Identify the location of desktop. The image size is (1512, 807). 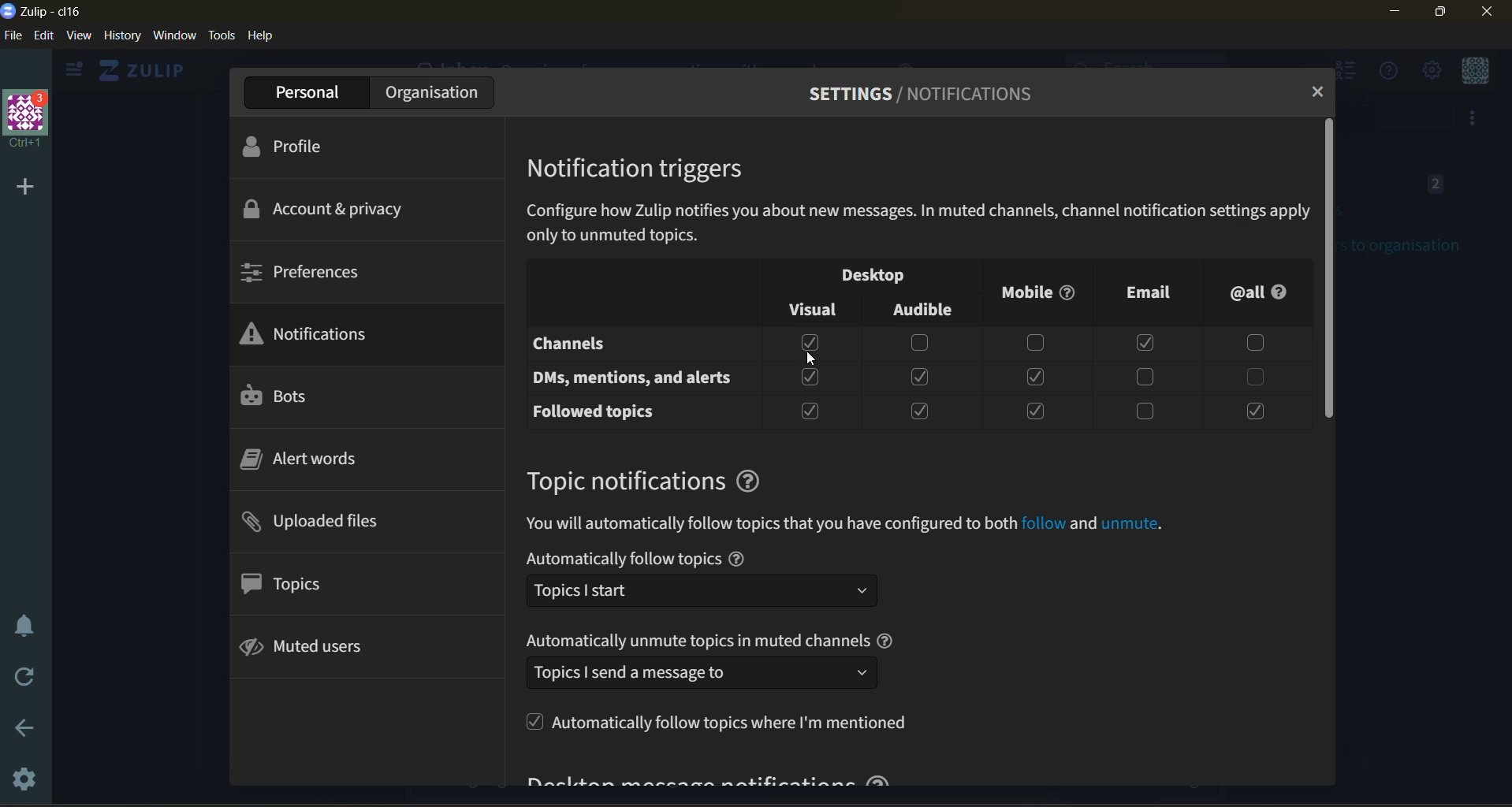
(884, 277).